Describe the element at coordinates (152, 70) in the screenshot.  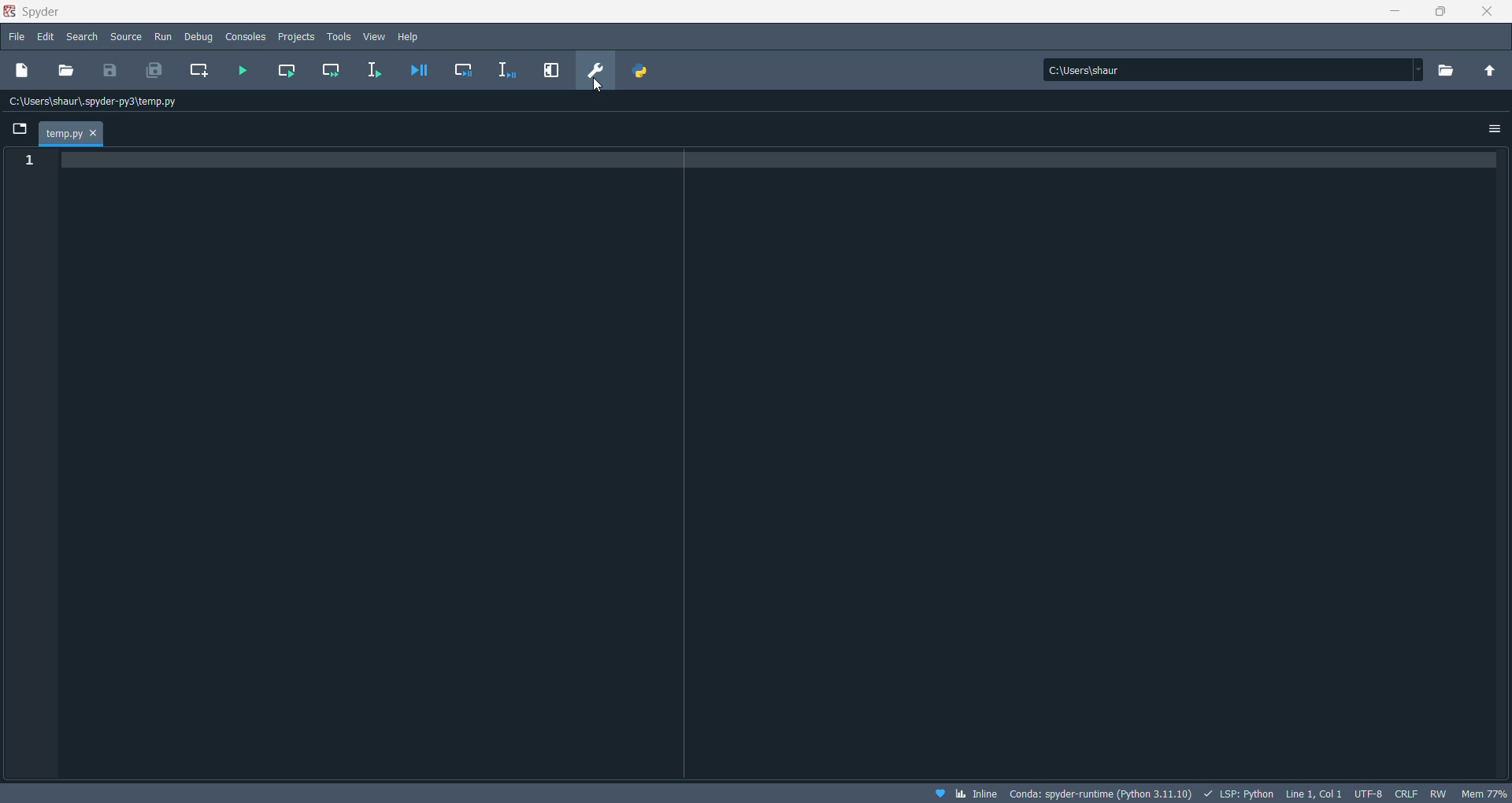
I see `save all files` at that location.